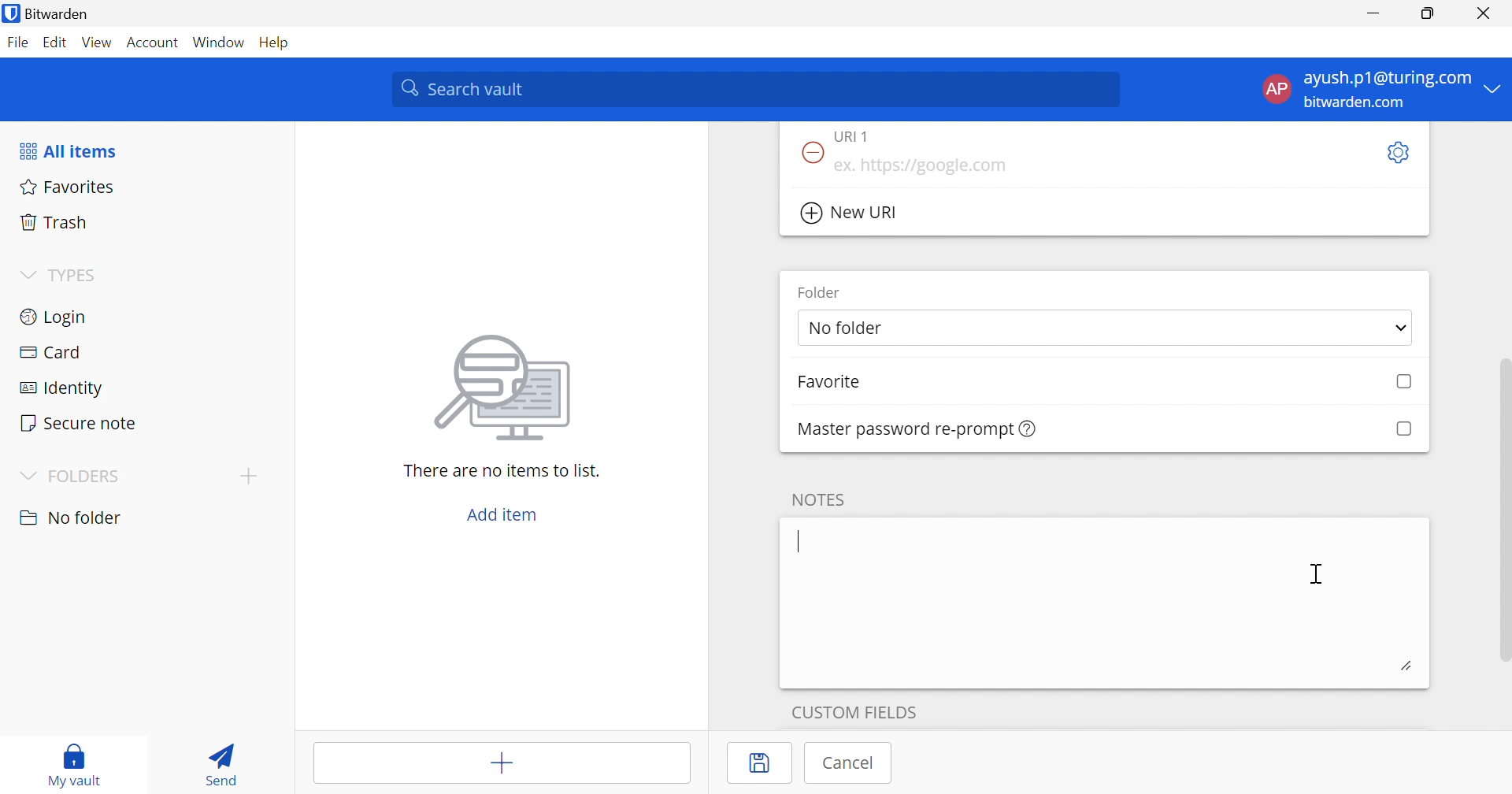 The width and height of the screenshot is (1512, 794). What do you see at coordinates (1388, 79) in the screenshot?
I see `ayush.p1@turing.com` at bounding box center [1388, 79].